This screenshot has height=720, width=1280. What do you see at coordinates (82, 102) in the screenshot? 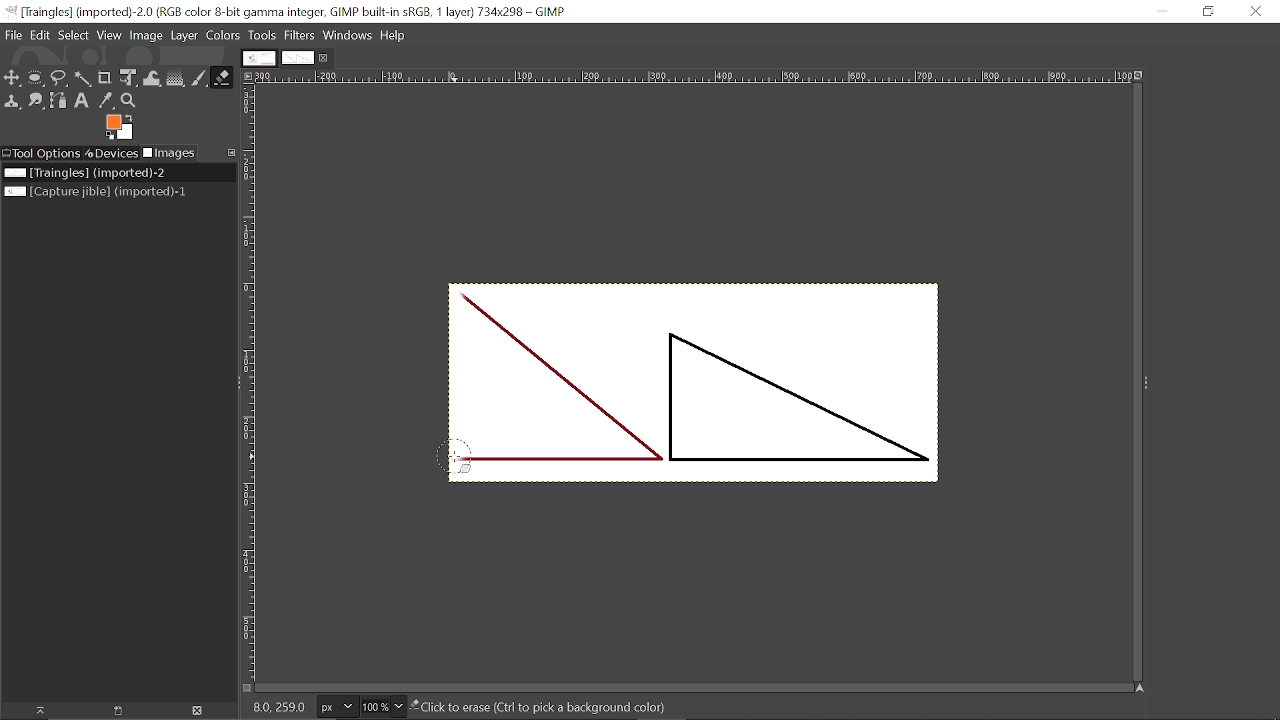
I see `Text tool` at bounding box center [82, 102].